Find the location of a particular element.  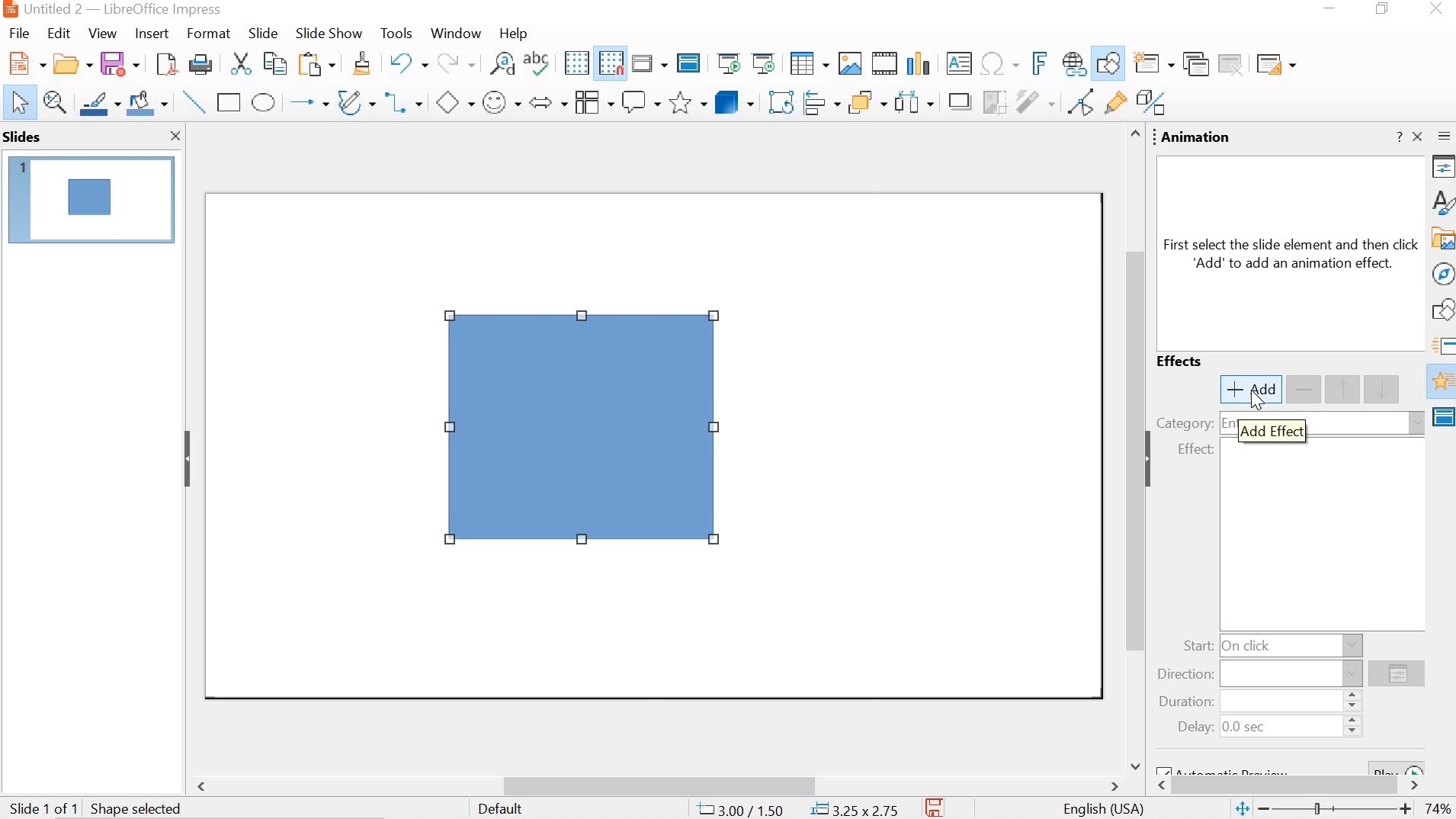

master slide is located at coordinates (1442, 419).